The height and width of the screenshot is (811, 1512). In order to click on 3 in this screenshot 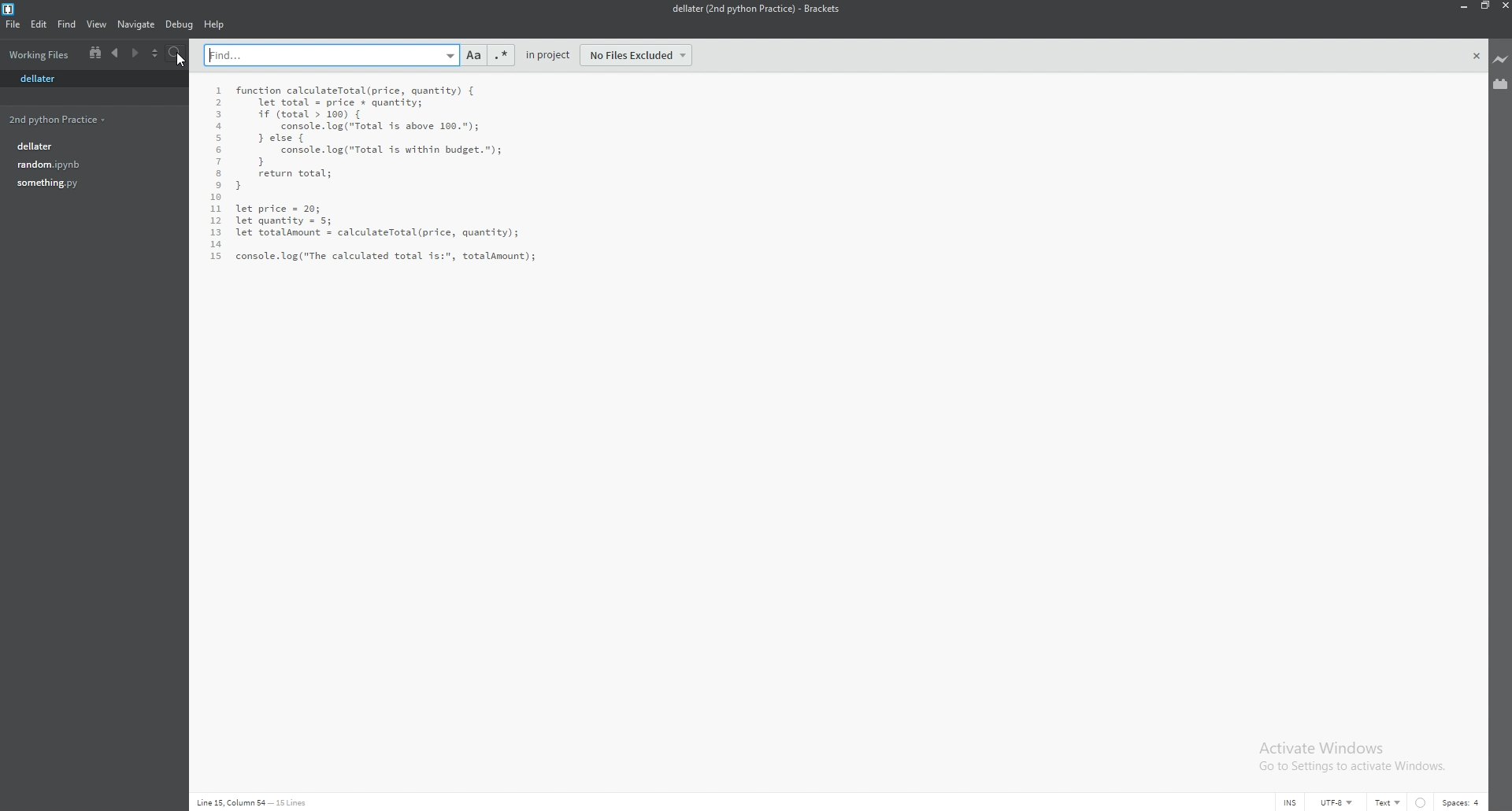, I will do `click(217, 115)`.